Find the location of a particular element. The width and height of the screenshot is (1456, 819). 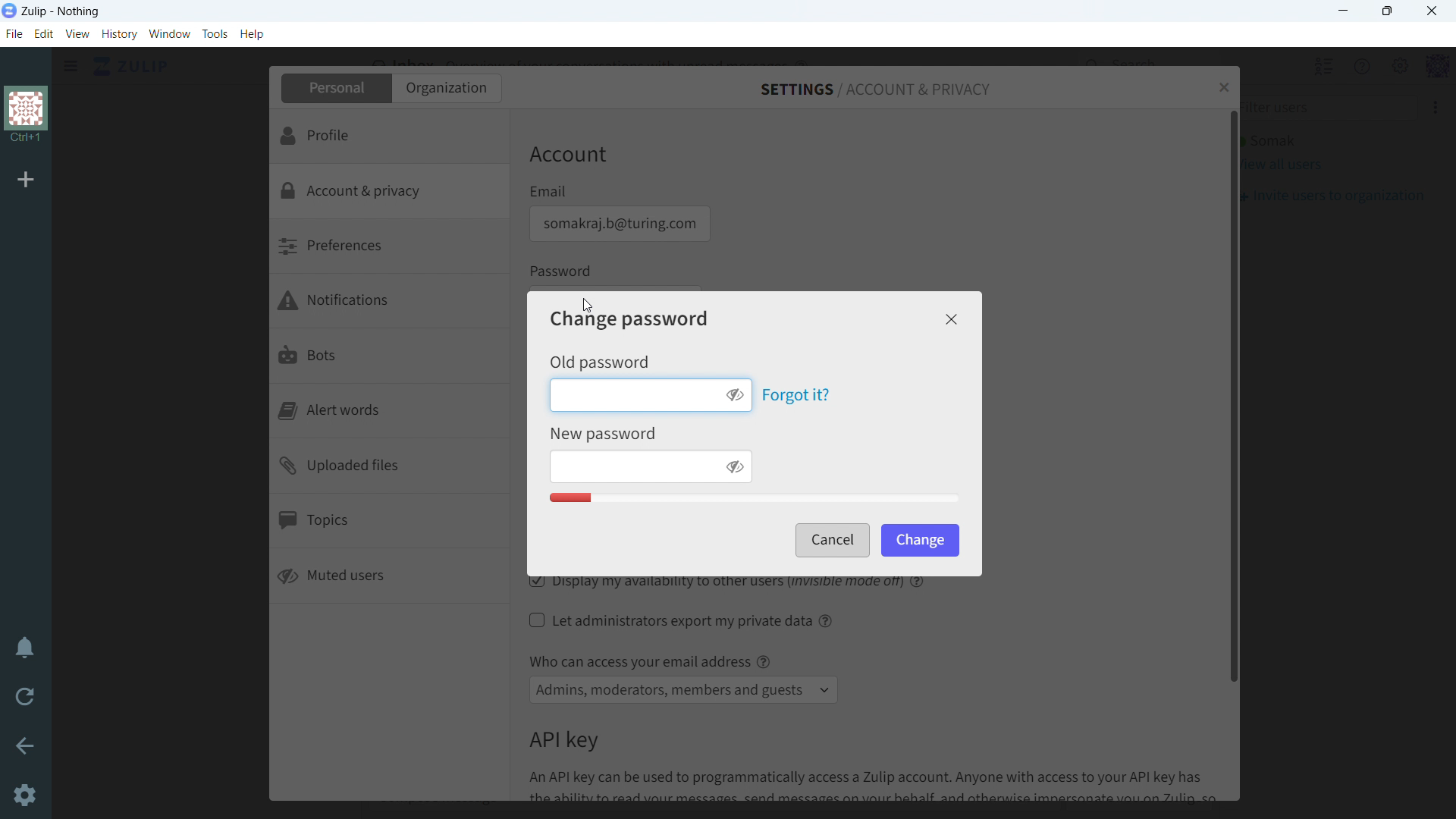

uploaded files is located at coordinates (391, 467).